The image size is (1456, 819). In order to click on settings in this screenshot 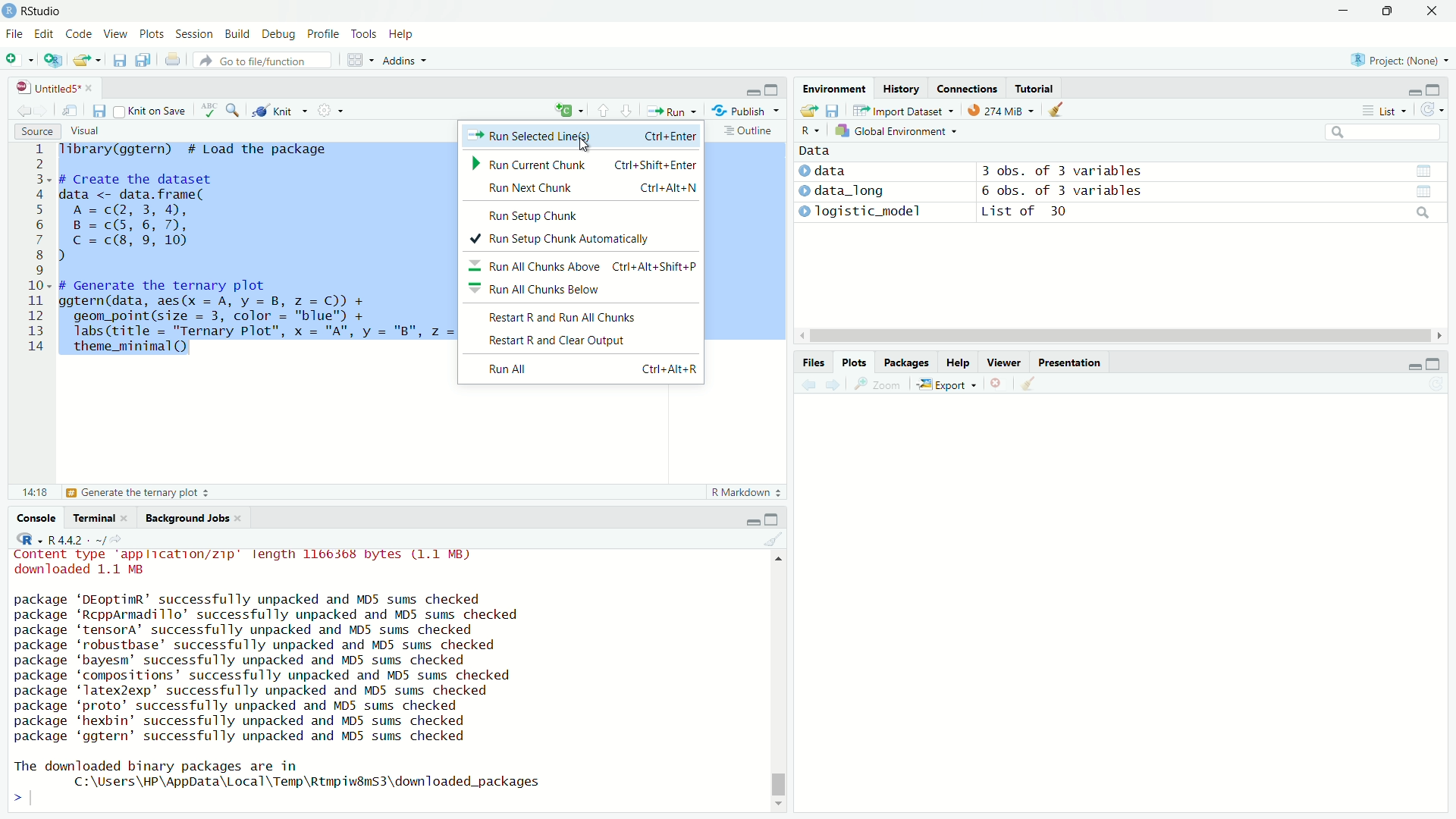, I will do `click(336, 113)`.